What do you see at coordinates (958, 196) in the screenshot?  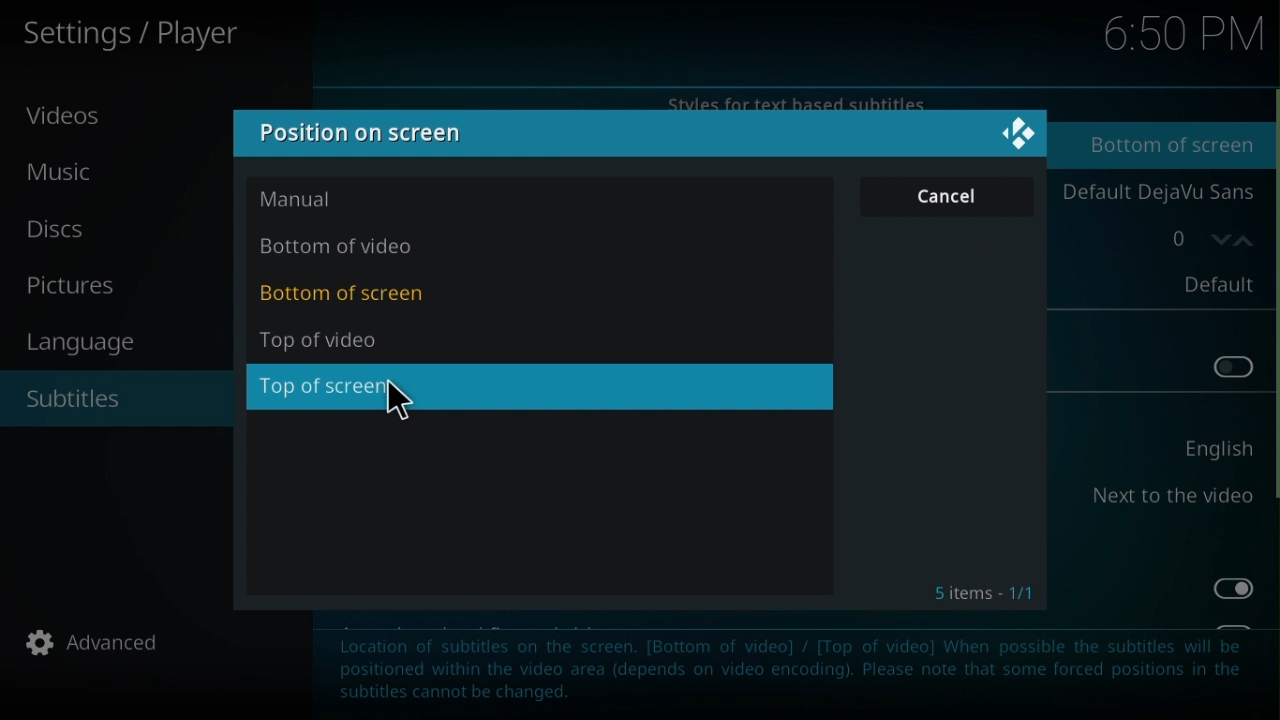 I see `Cancel` at bounding box center [958, 196].